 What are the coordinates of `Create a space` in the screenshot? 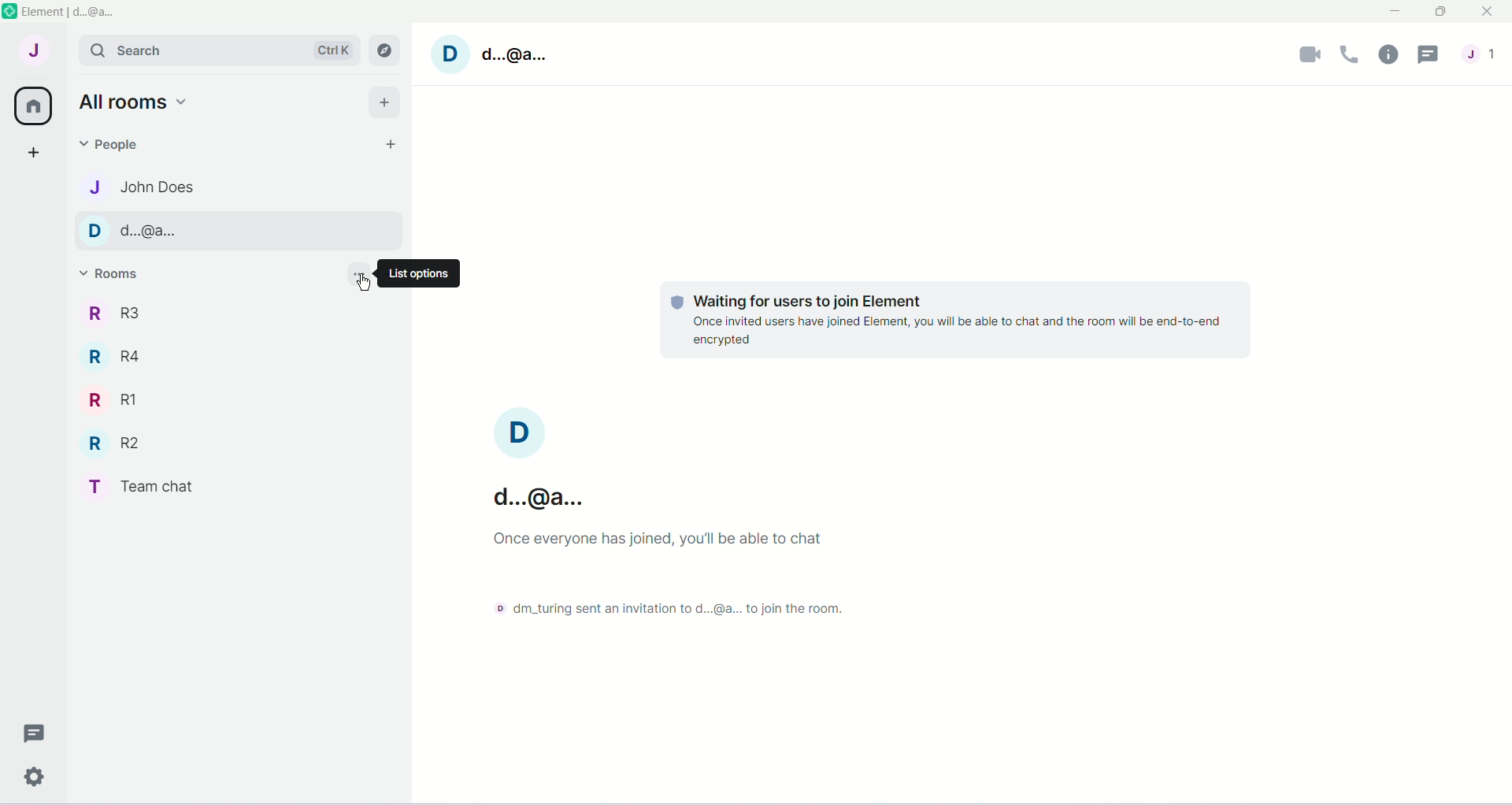 It's located at (32, 154).